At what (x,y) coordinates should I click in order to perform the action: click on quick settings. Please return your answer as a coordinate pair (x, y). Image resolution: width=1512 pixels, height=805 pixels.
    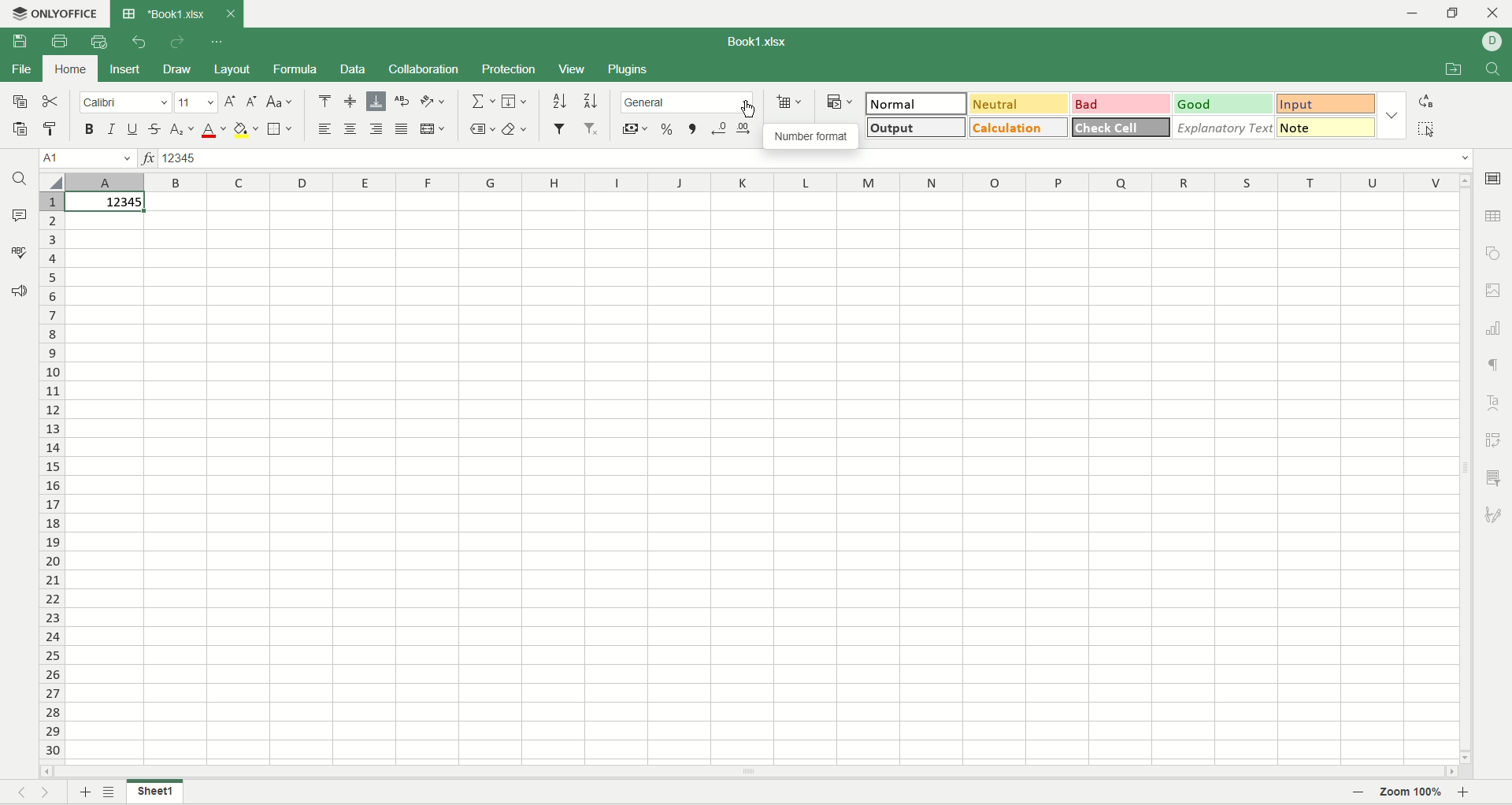
    Looking at the image, I should click on (217, 44).